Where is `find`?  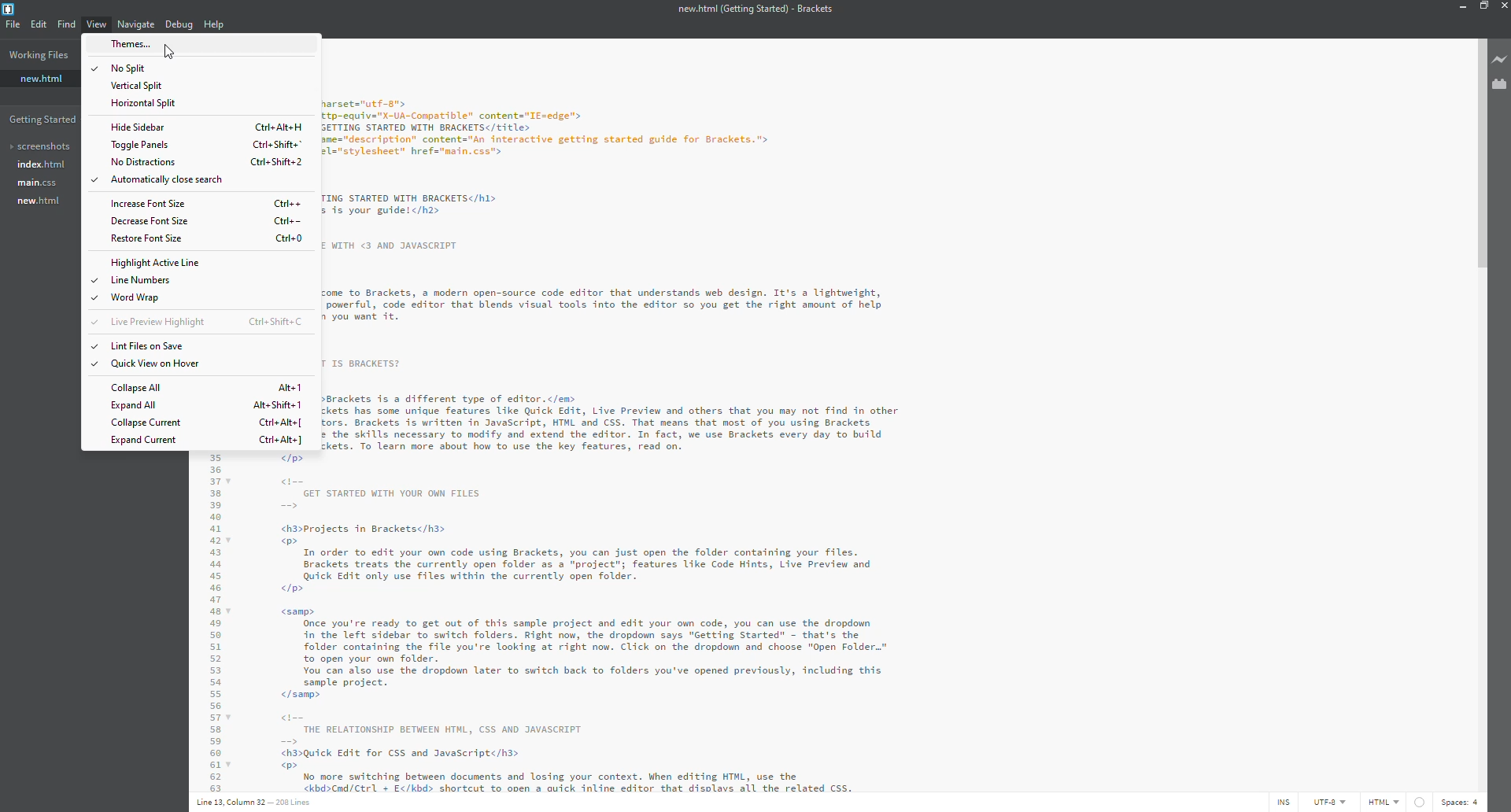 find is located at coordinates (65, 24).